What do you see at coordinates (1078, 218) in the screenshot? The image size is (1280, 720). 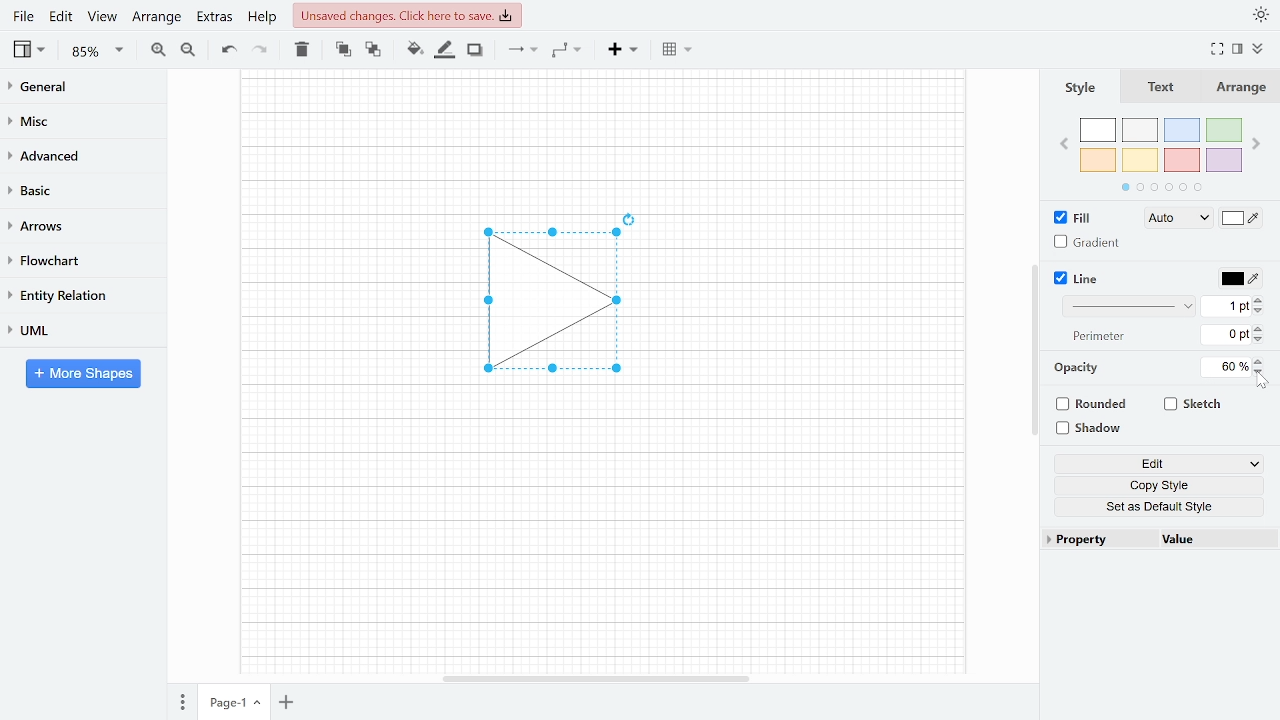 I see `Fill` at bounding box center [1078, 218].